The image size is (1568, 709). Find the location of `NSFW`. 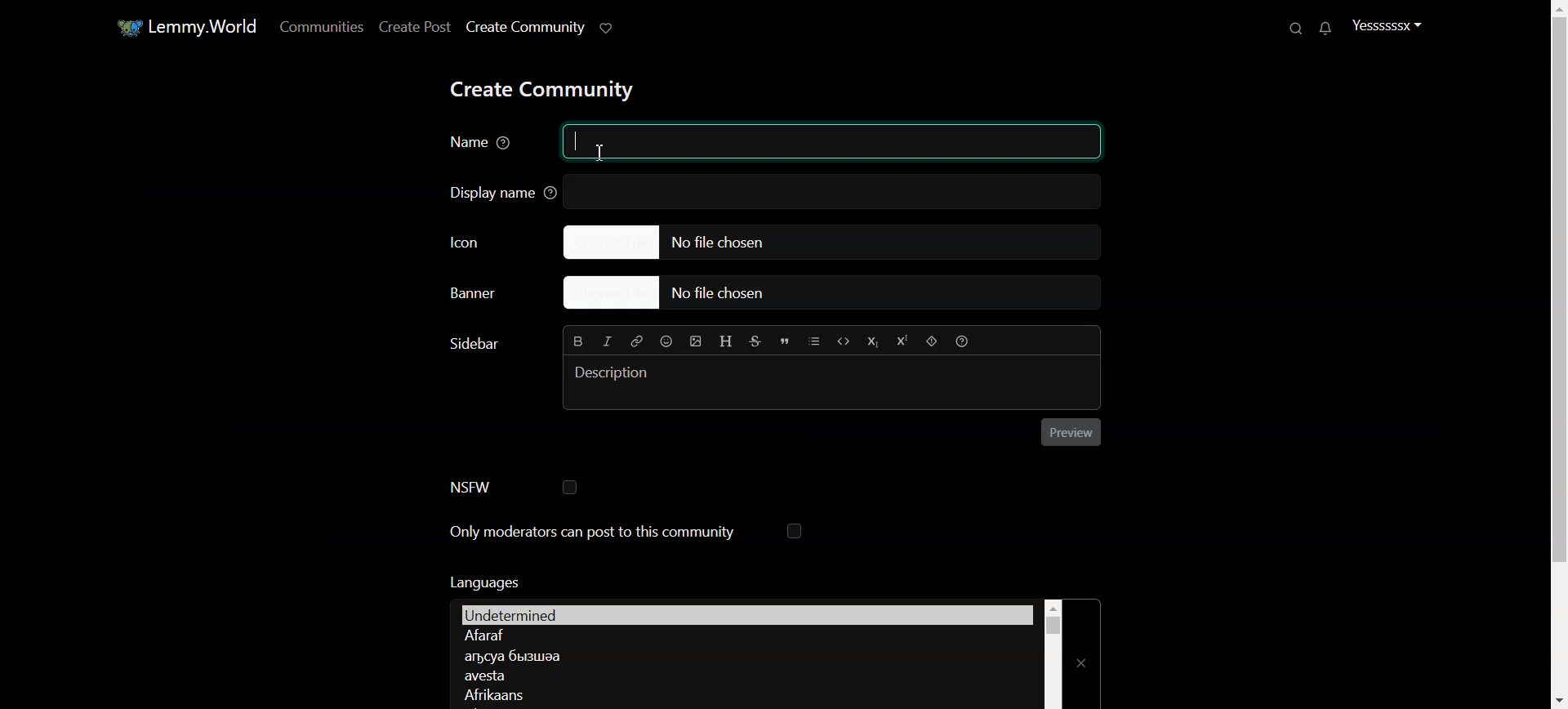

NSFW is located at coordinates (513, 487).